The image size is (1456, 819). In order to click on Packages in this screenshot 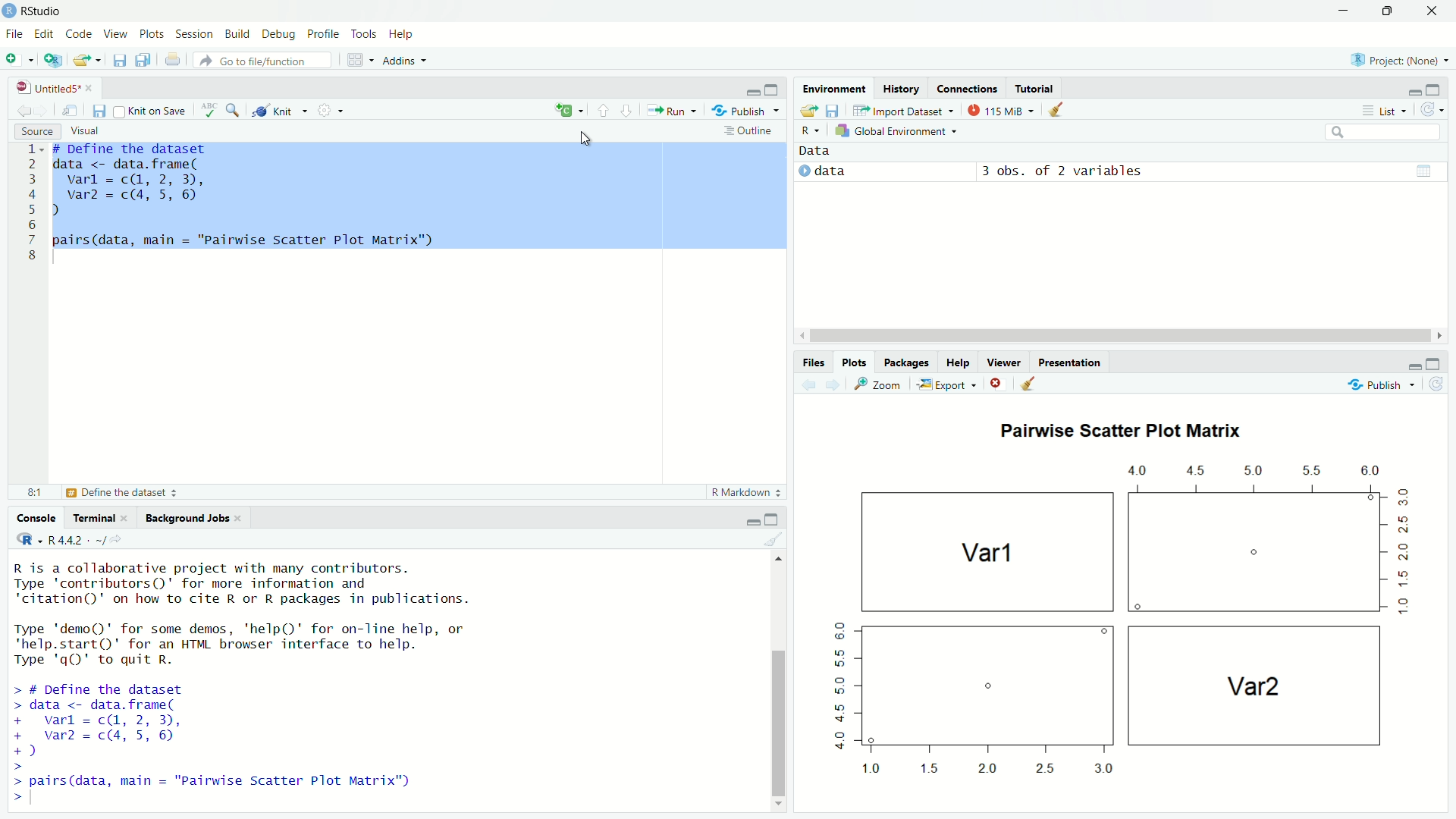, I will do `click(908, 362)`.